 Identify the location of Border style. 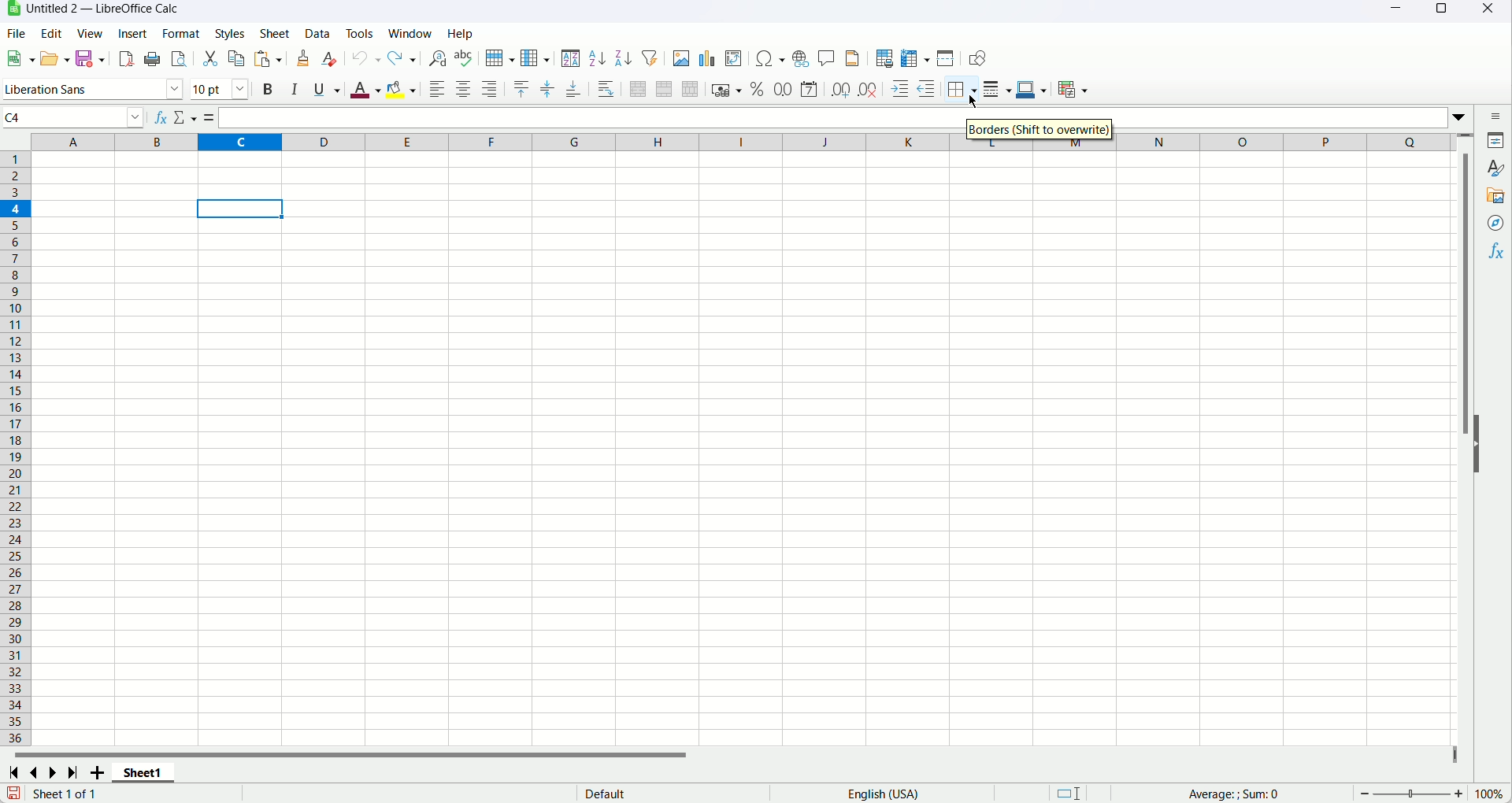
(996, 88).